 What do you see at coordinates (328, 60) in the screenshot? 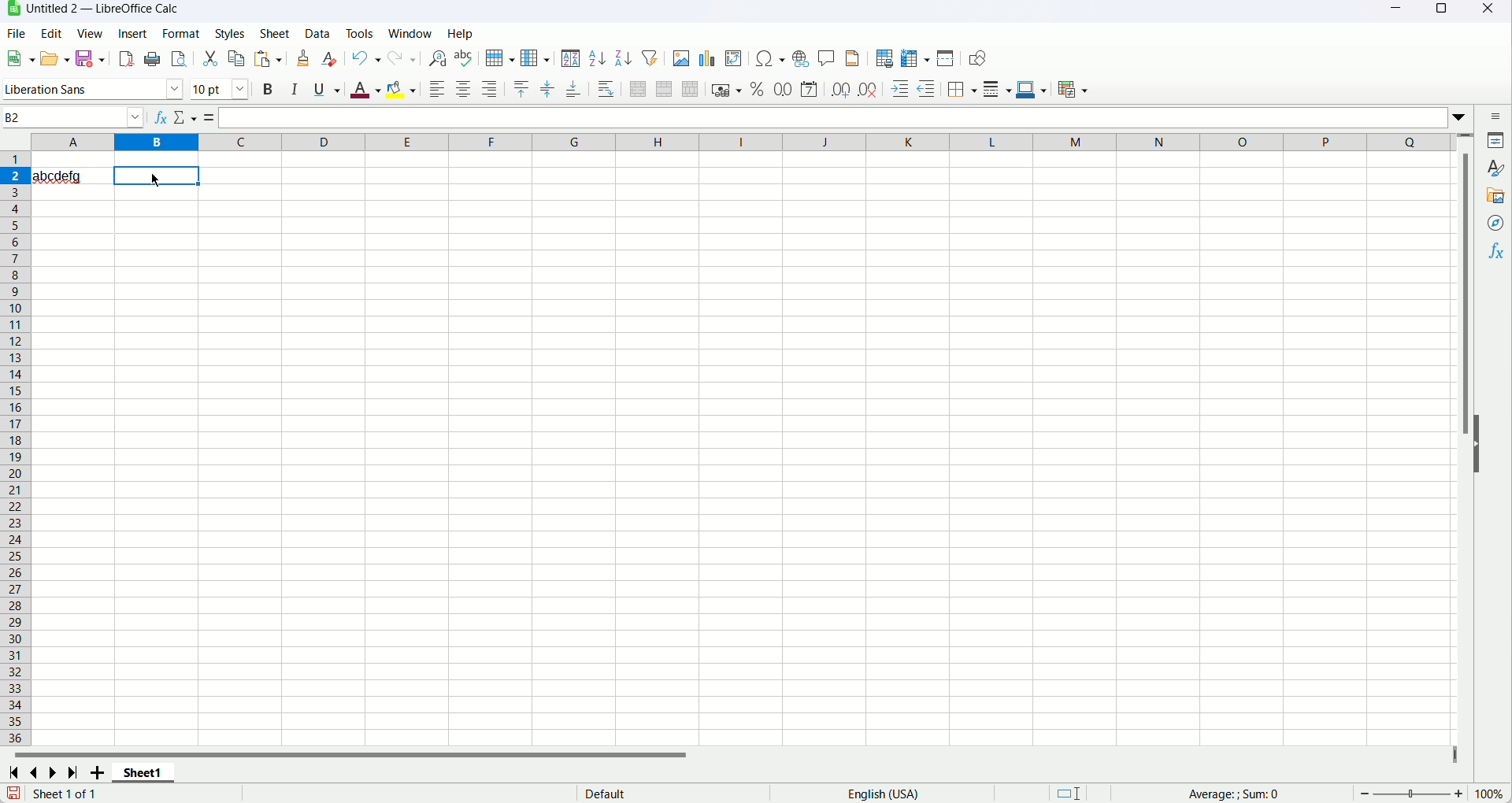
I see `clear direct formatting` at bounding box center [328, 60].